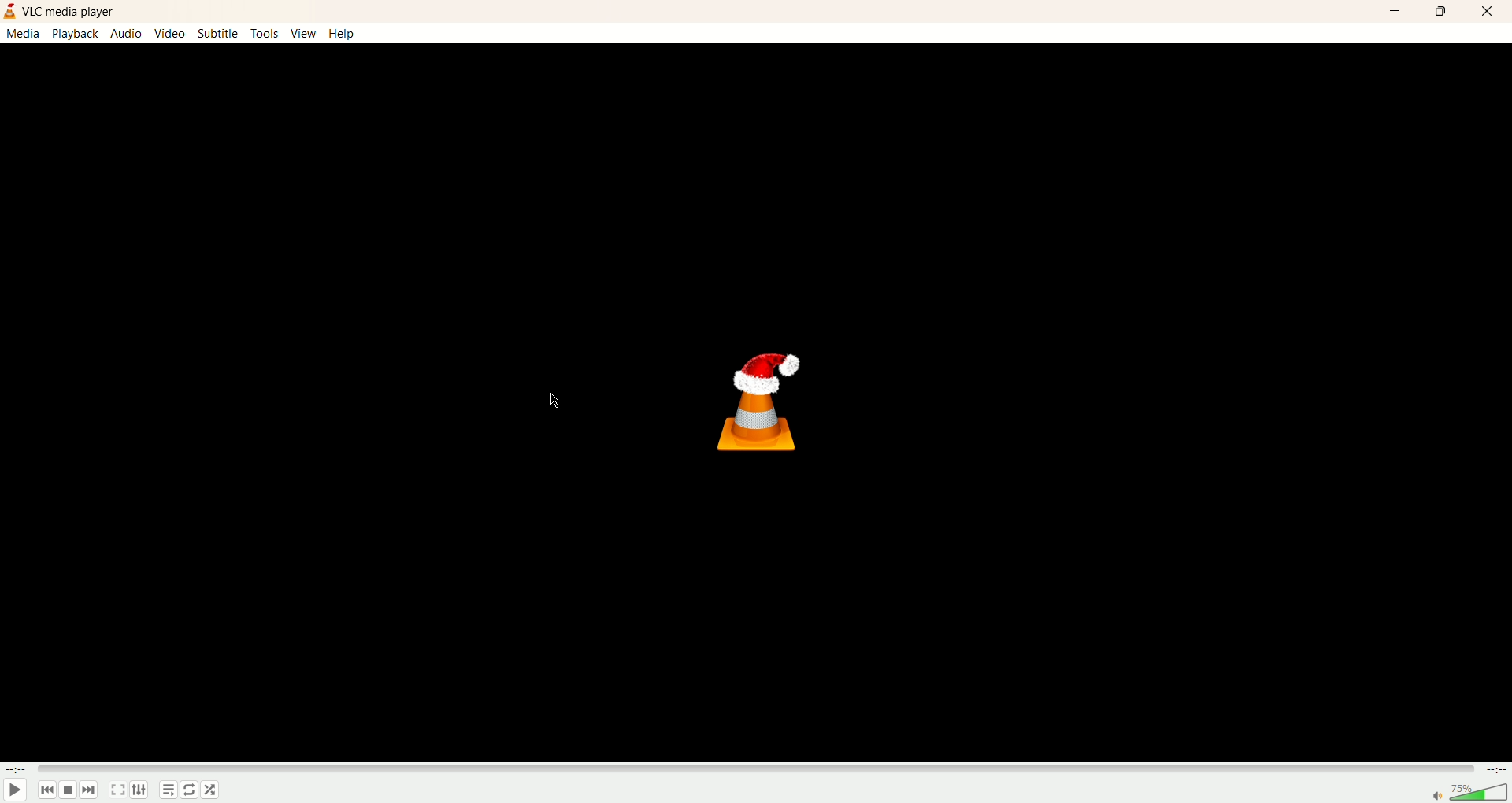  I want to click on view, so click(304, 33).